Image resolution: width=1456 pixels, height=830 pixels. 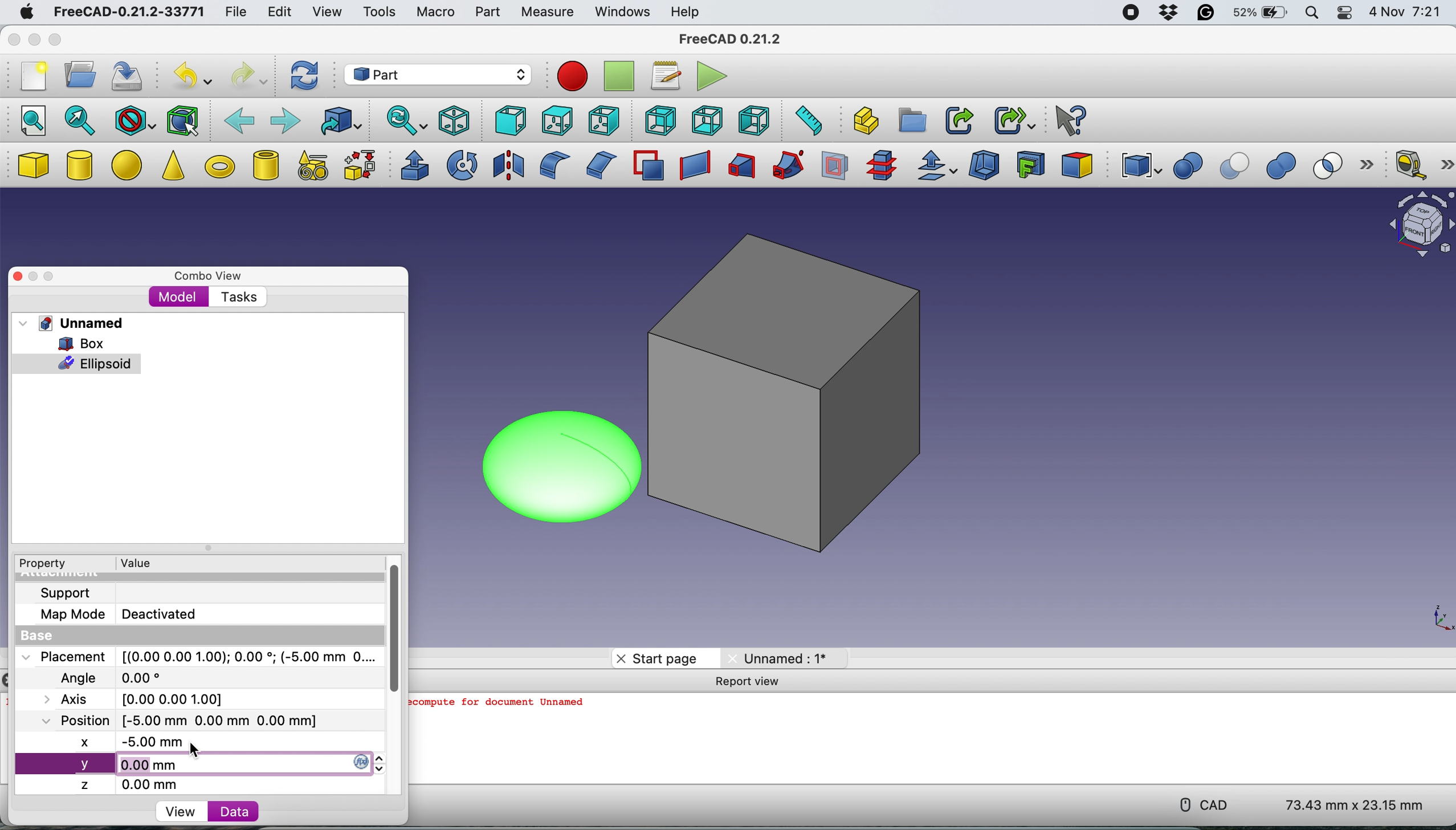 What do you see at coordinates (805, 120) in the screenshot?
I see `measure distance` at bounding box center [805, 120].